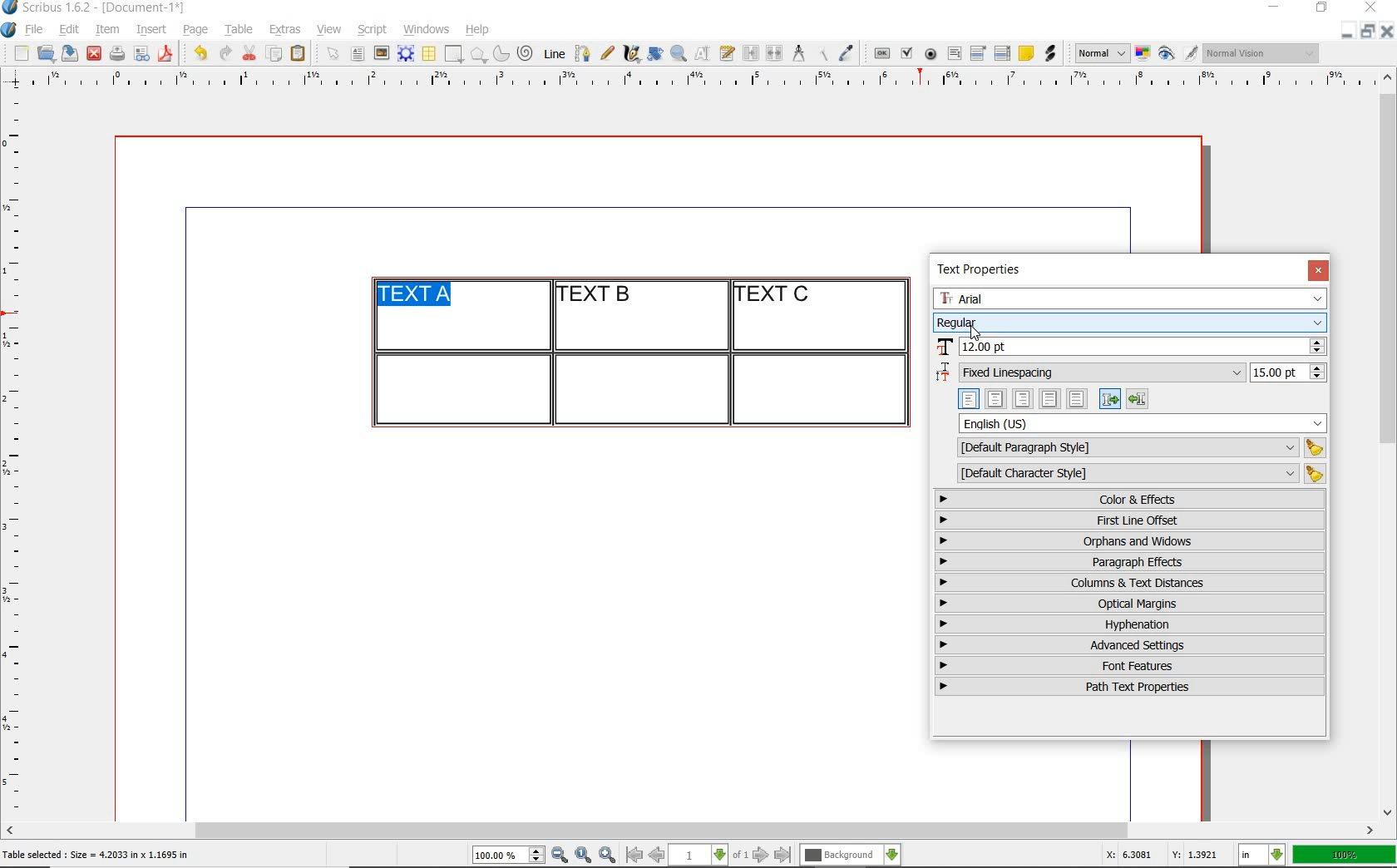  What do you see at coordinates (195, 29) in the screenshot?
I see `page` at bounding box center [195, 29].